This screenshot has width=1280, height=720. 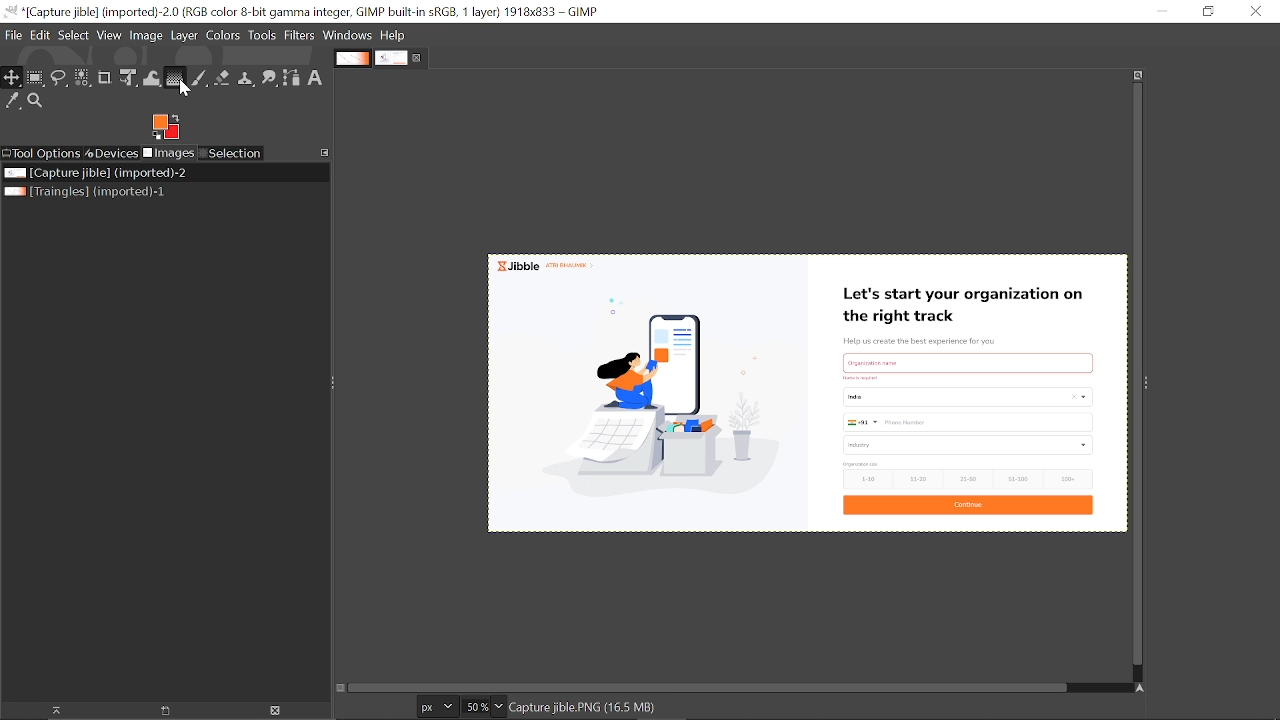 I want to click on Rectangular tool, so click(x=37, y=80).